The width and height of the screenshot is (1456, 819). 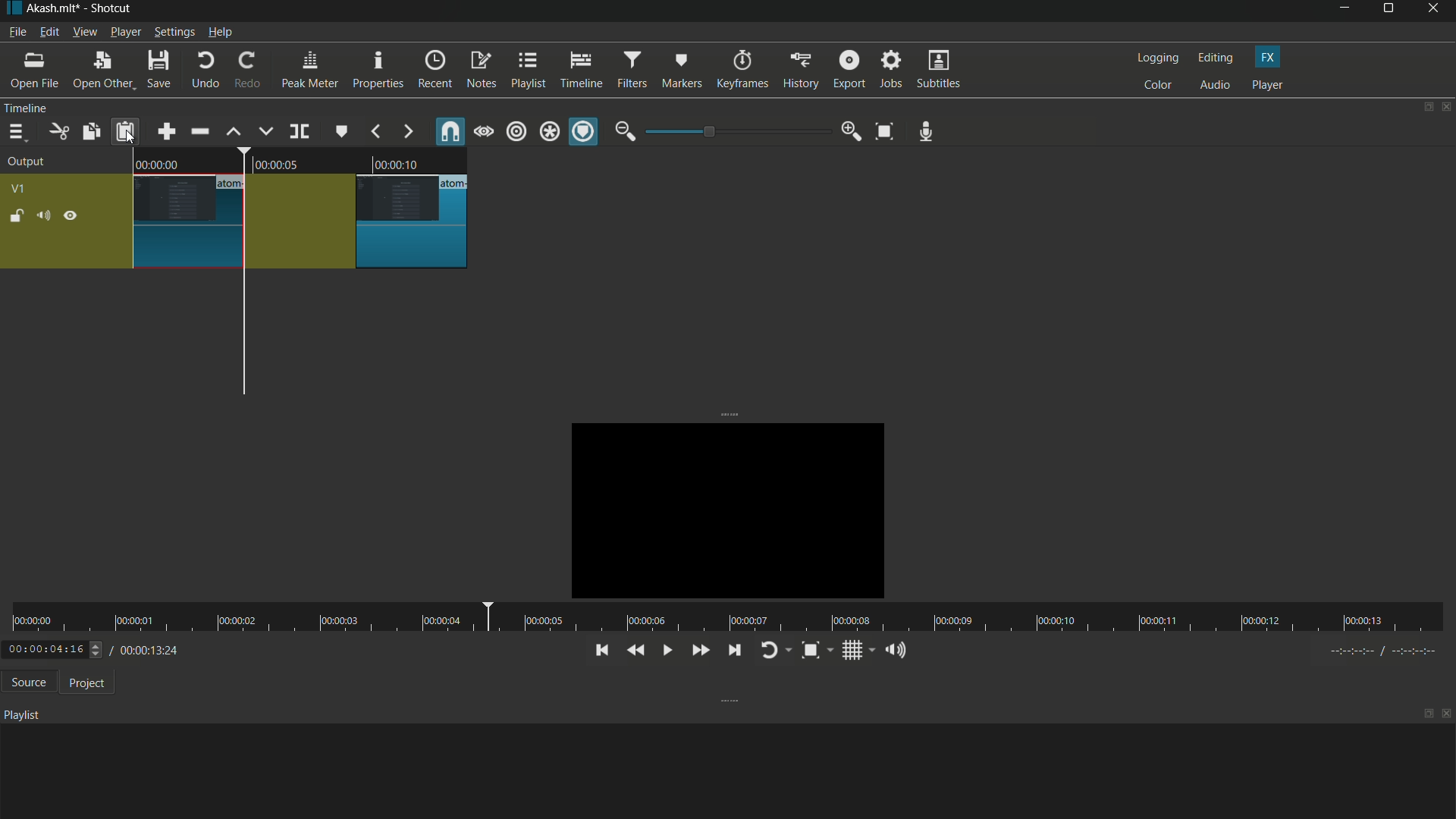 I want to click on 0:00:02:02 , so click(x=54, y=649).